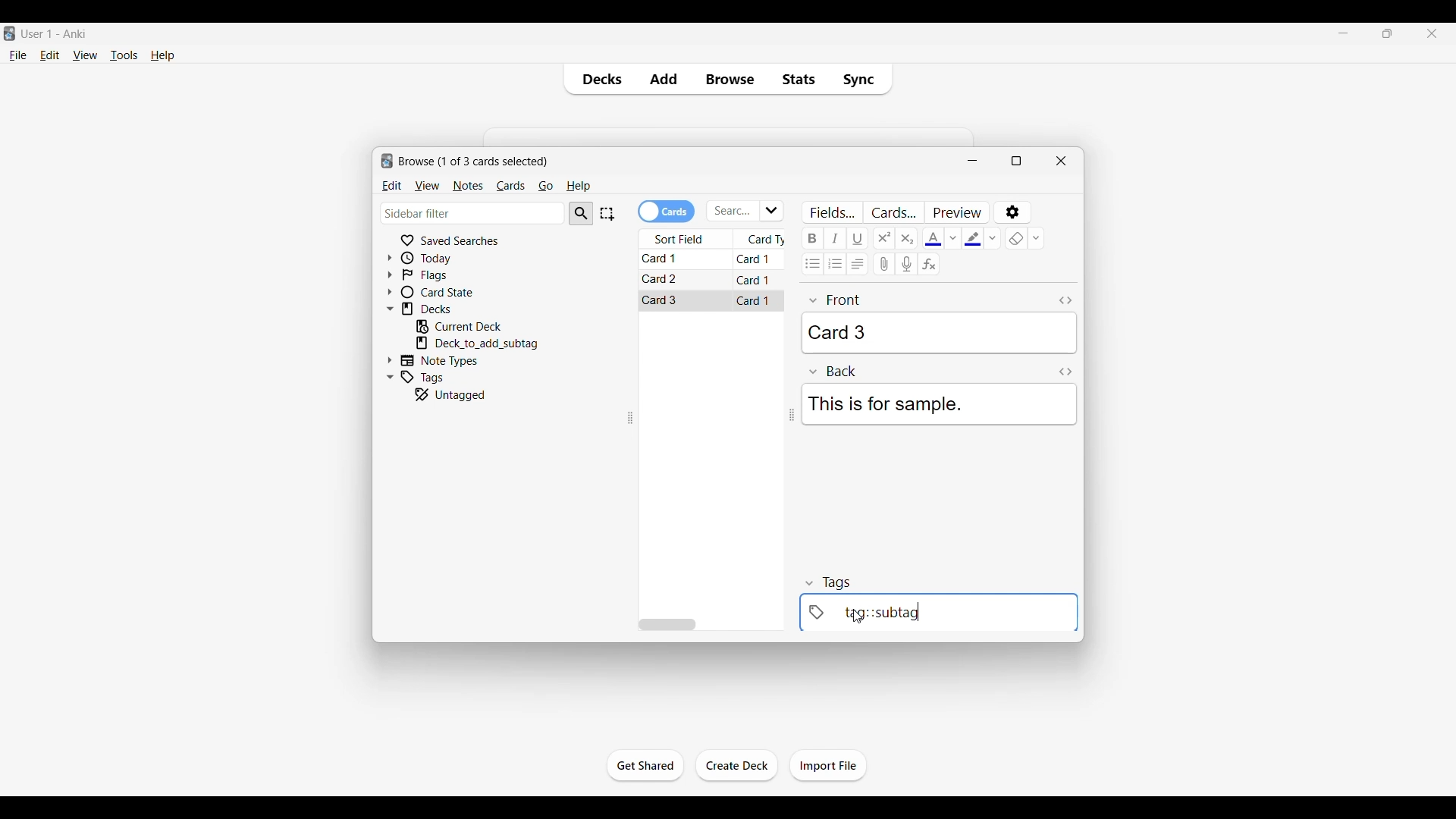 The width and height of the screenshot is (1456, 819). What do you see at coordinates (390, 275) in the screenshot?
I see `Click to expand flags` at bounding box center [390, 275].